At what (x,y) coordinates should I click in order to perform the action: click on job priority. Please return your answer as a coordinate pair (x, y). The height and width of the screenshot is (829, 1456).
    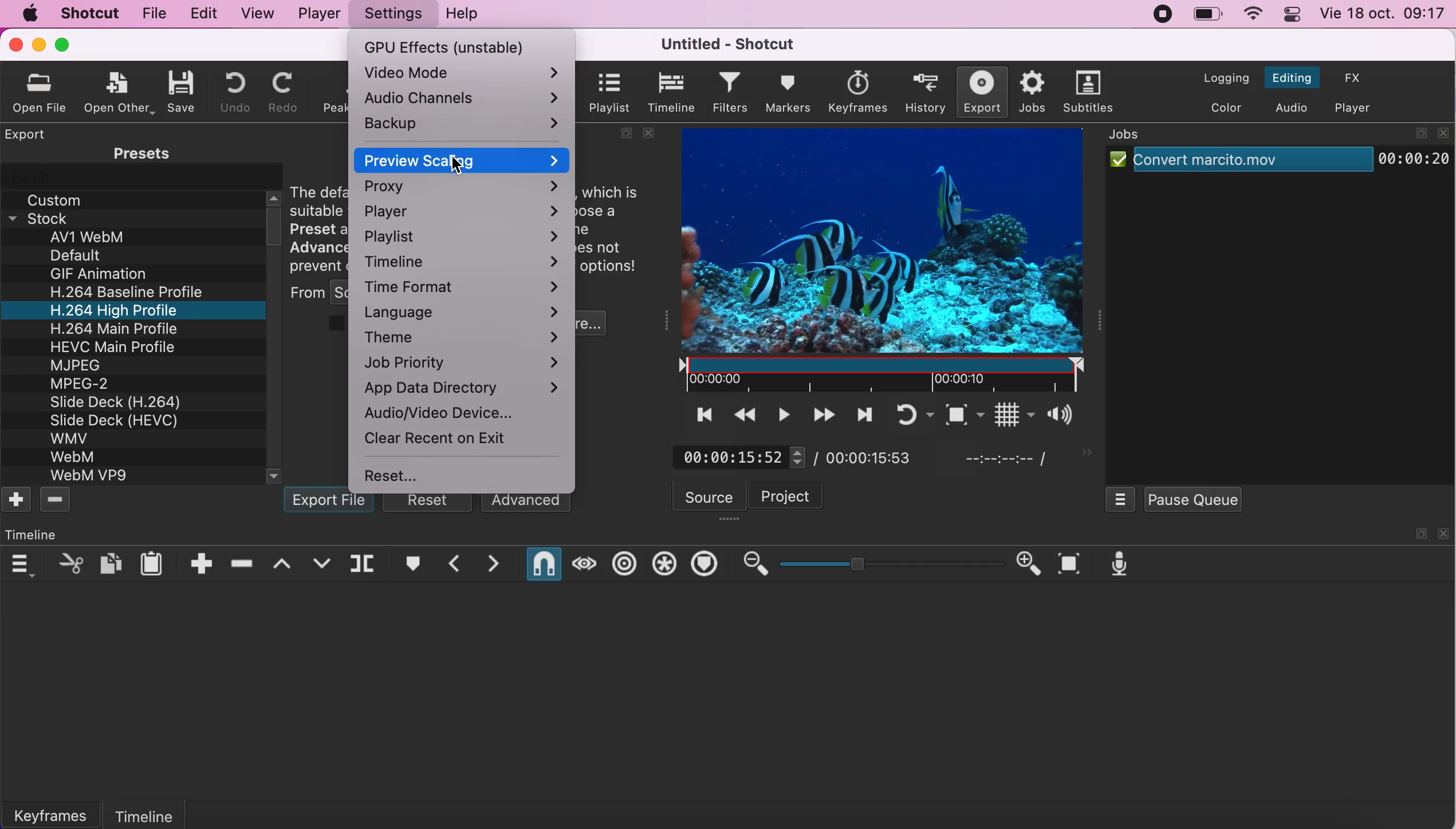
    Looking at the image, I should click on (467, 361).